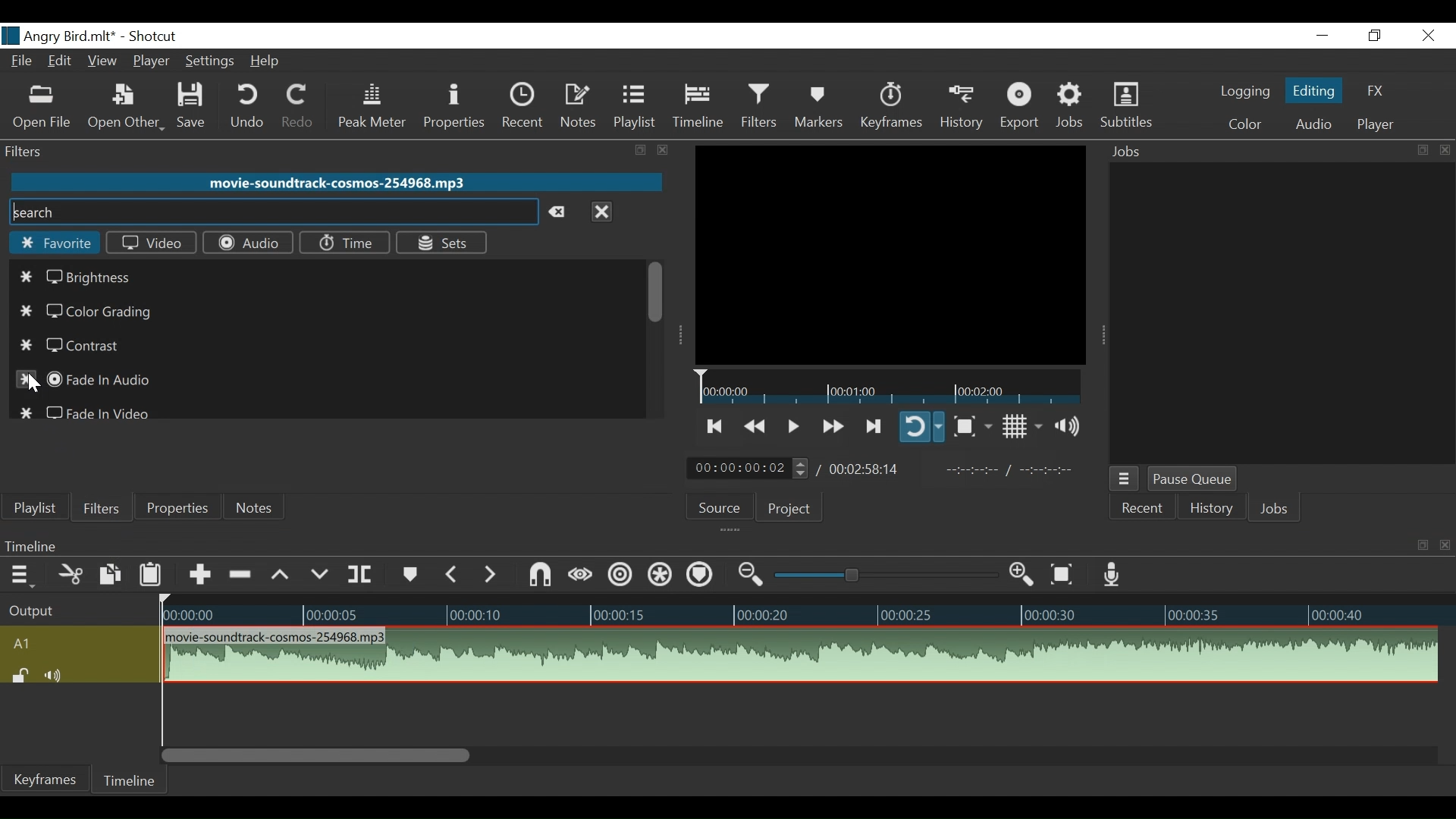  Describe the element at coordinates (42, 107) in the screenshot. I see `Open File` at that location.